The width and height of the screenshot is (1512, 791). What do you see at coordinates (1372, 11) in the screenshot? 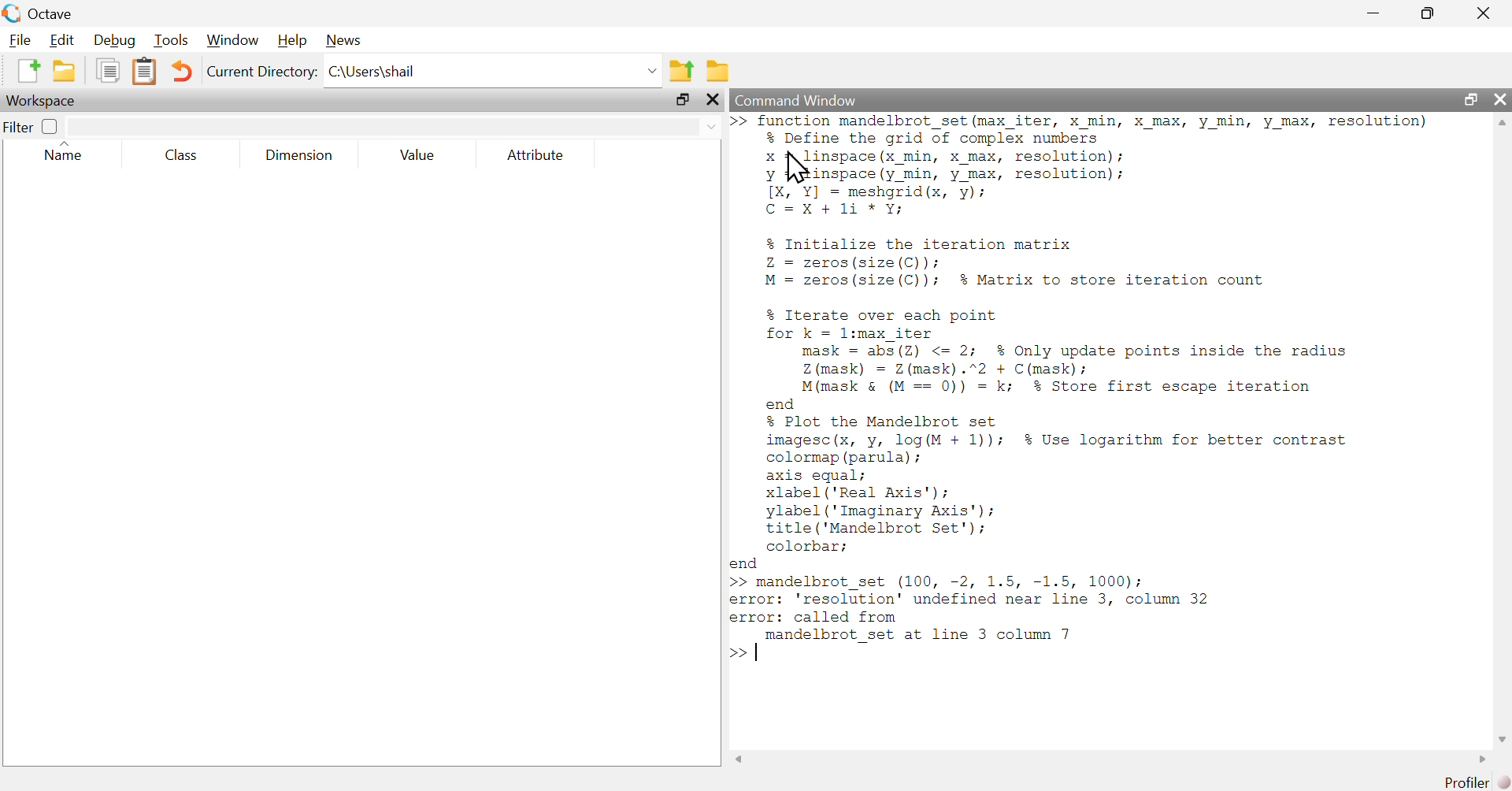
I see `minimize` at bounding box center [1372, 11].